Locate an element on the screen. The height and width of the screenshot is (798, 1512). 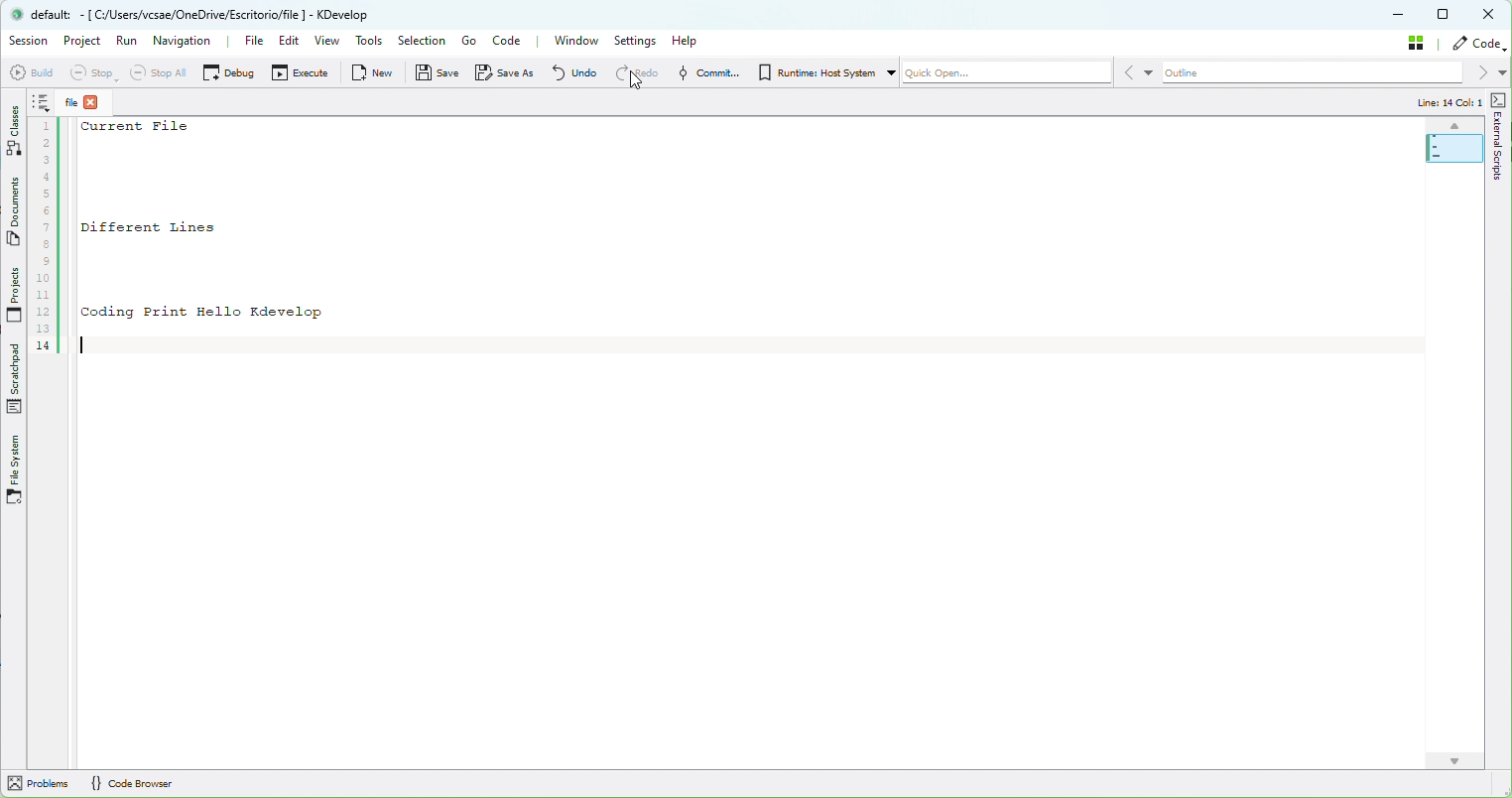
Sequence is located at coordinates (46, 224).